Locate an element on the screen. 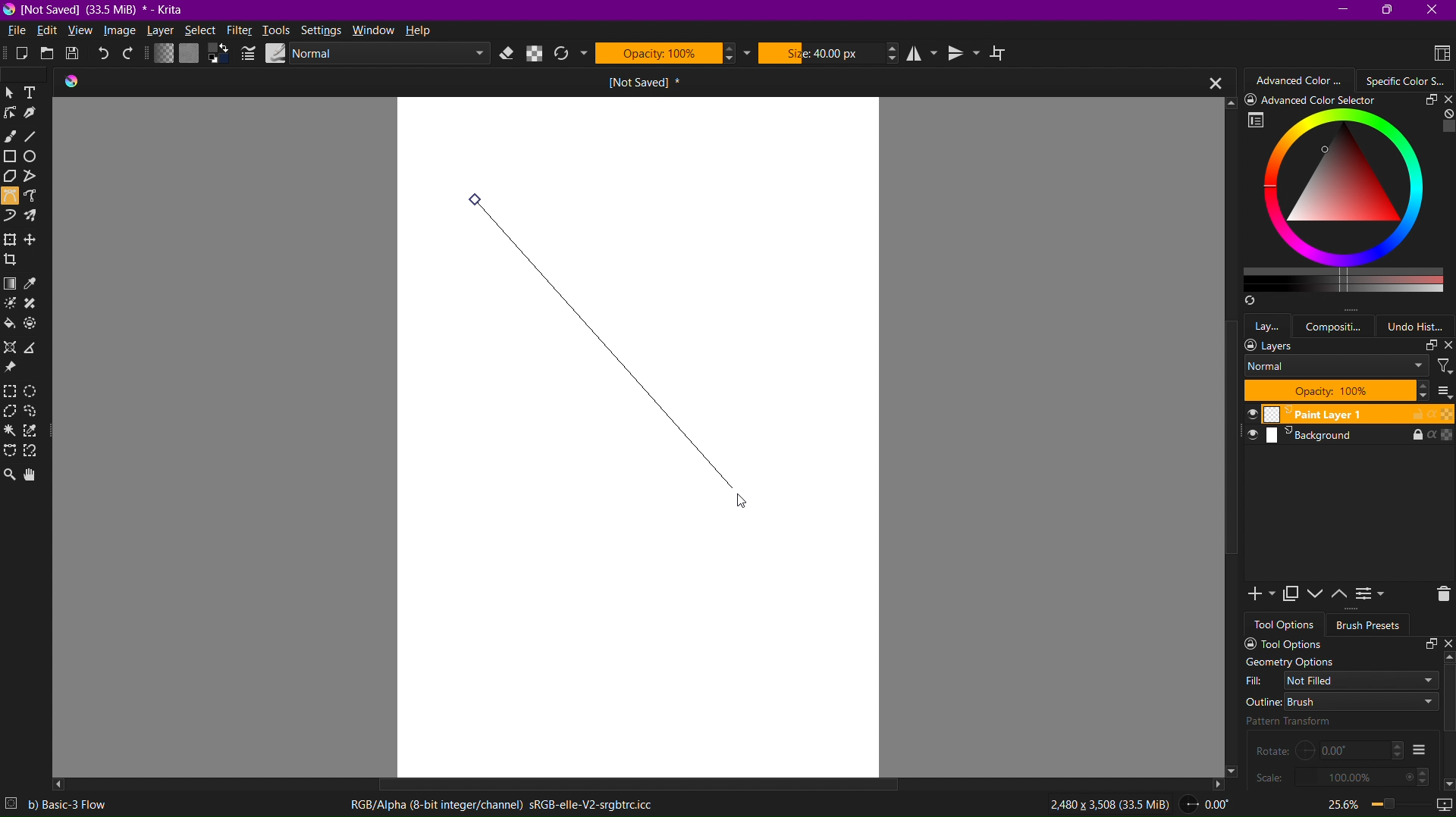  New is located at coordinates (14, 55).